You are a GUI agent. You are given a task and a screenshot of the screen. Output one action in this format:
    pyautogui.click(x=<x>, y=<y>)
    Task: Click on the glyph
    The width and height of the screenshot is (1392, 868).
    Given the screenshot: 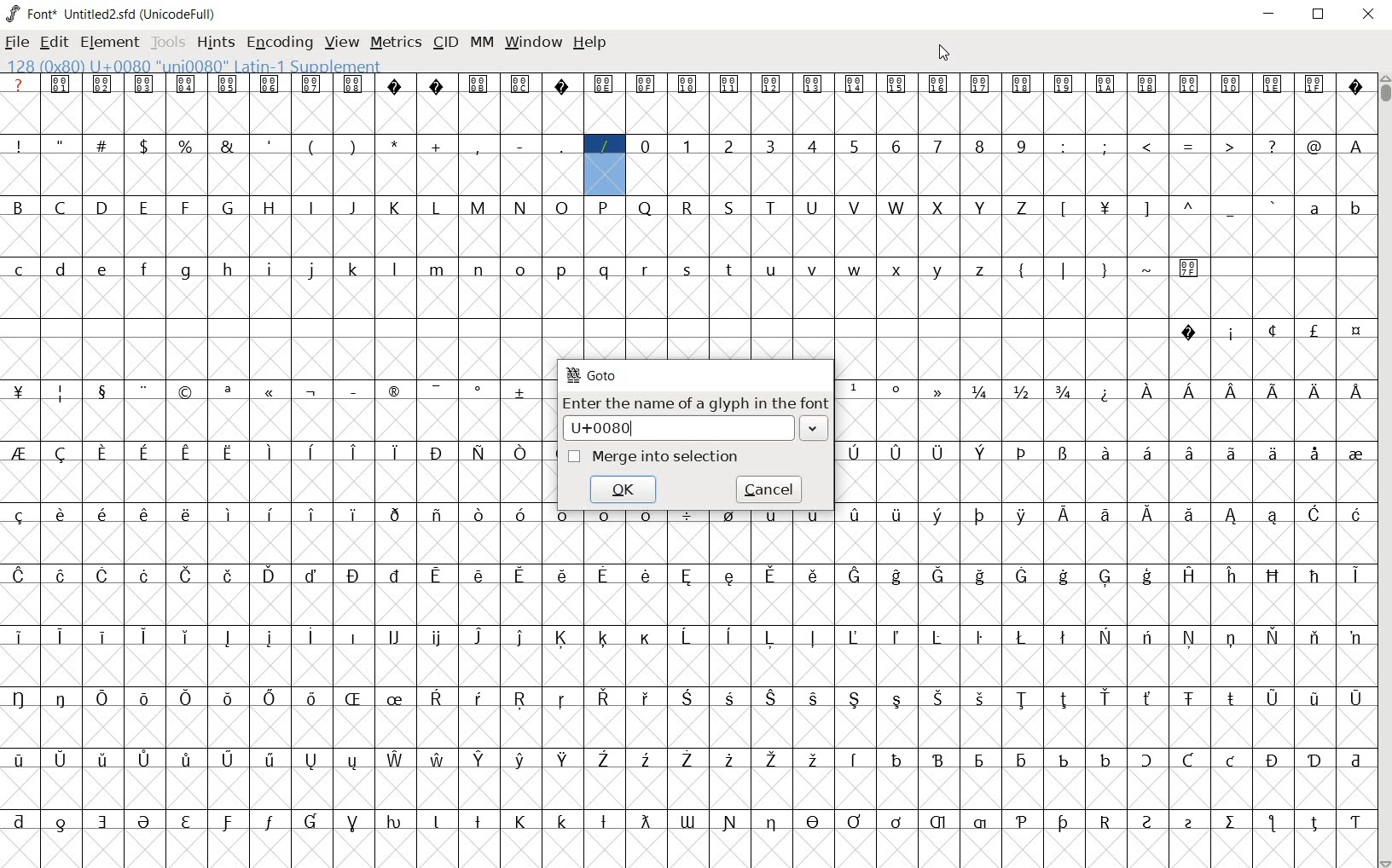 What is the action you would take?
    pyautogui.click(x=939, y=698)
    